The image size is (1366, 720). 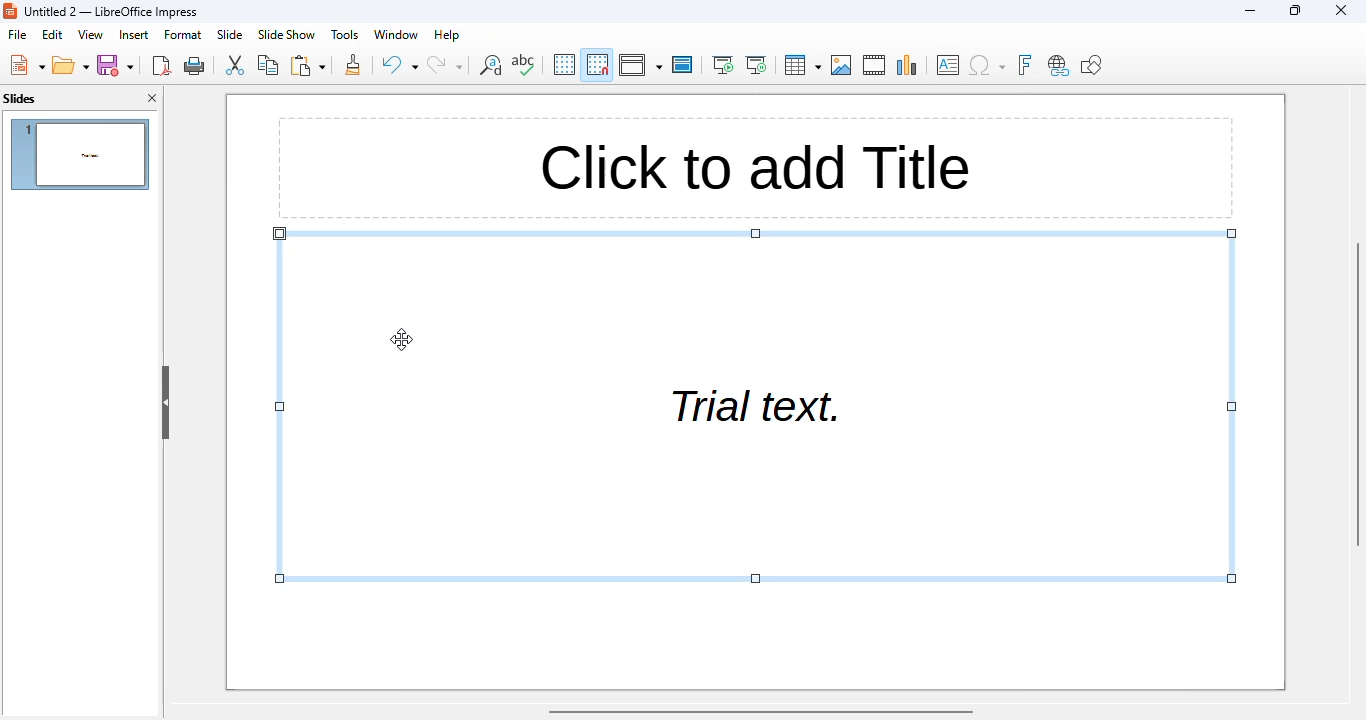 What do you see at coordinates (489, 65) in the screenshot?
I see `find and replace` at bounding box center [489, 65].